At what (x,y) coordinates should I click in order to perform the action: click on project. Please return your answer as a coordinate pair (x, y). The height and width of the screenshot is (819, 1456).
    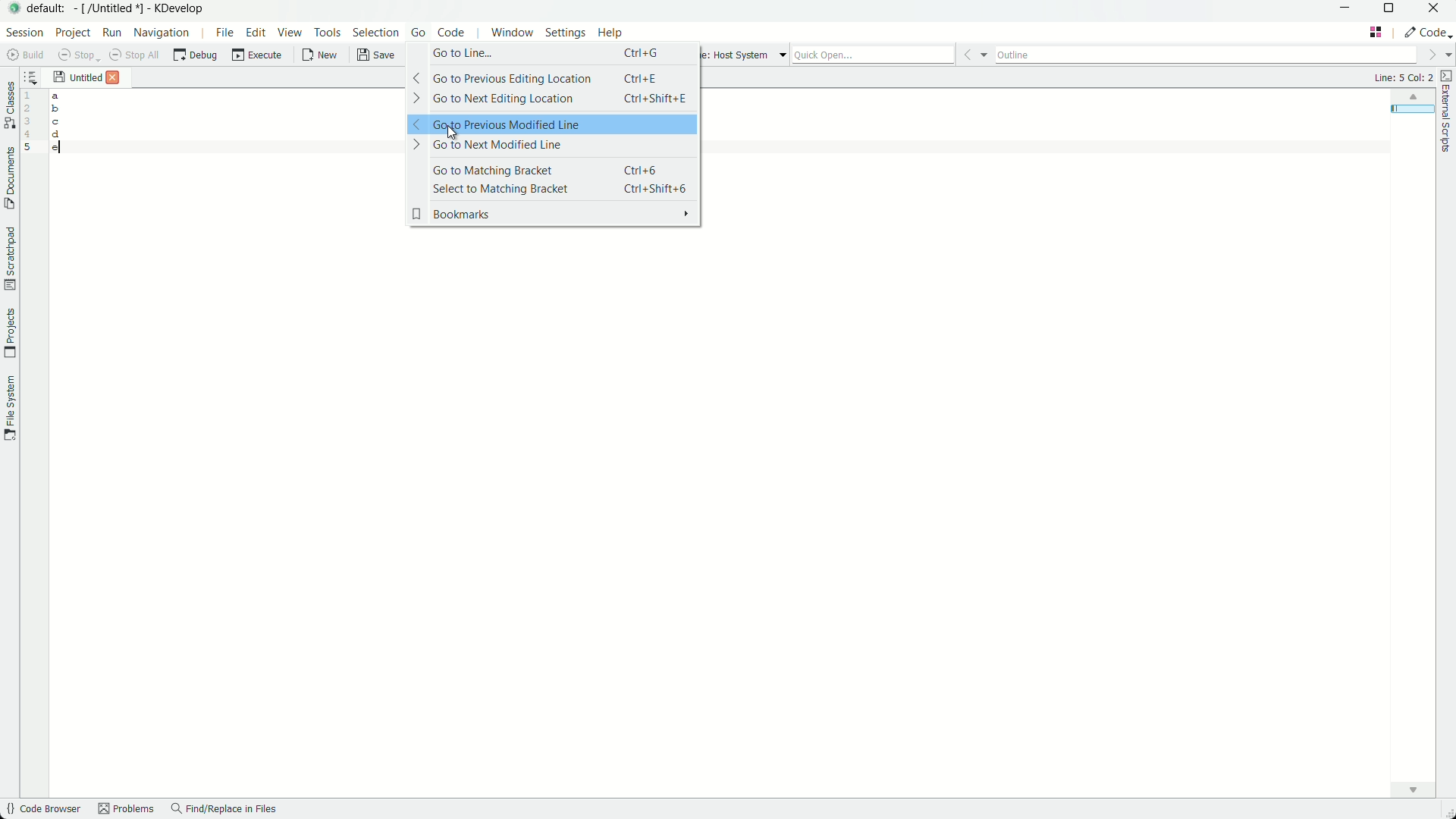
    Looking at the image, I should click on (72, 33).